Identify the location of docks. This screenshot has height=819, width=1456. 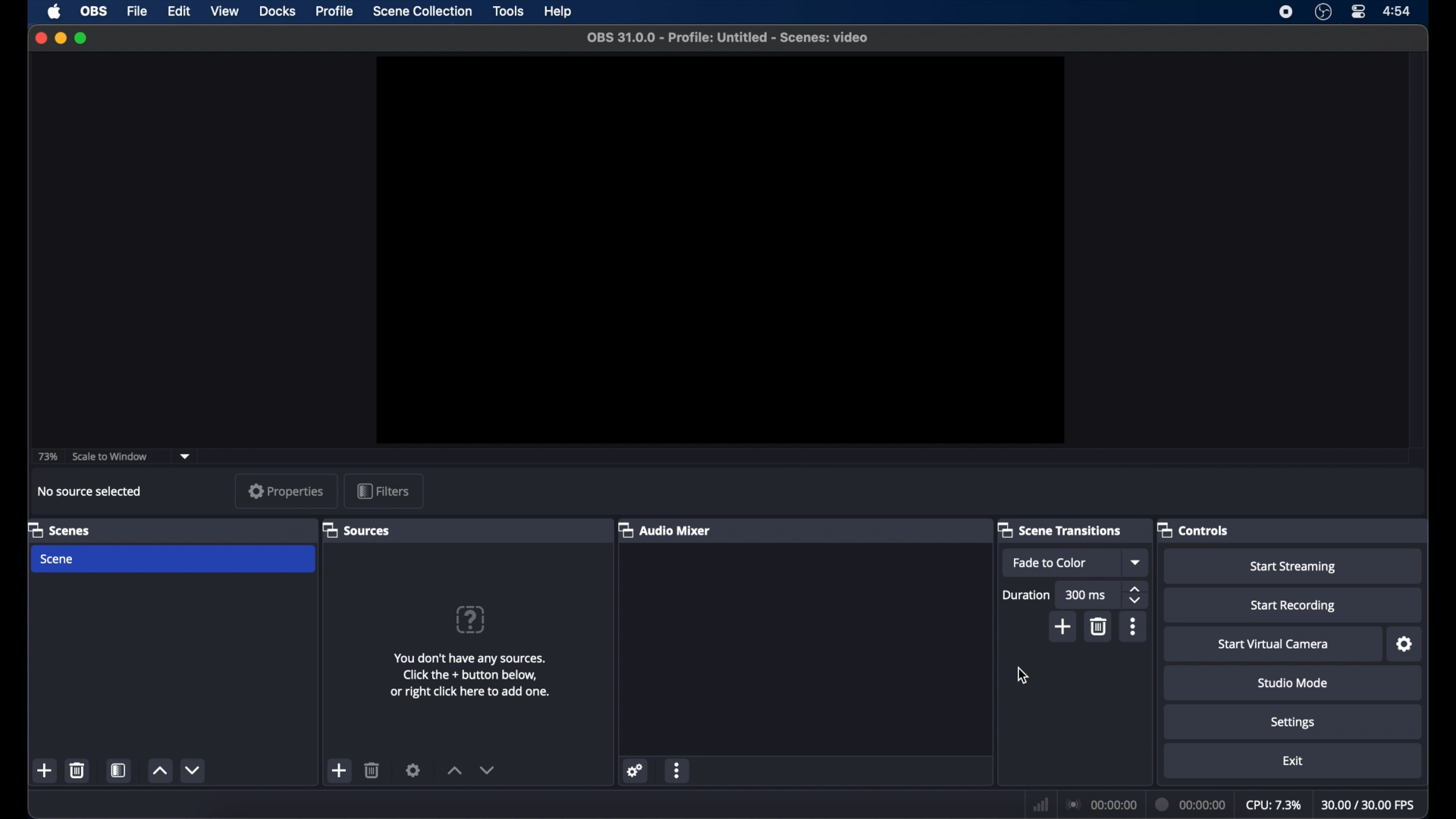
(278, 11).